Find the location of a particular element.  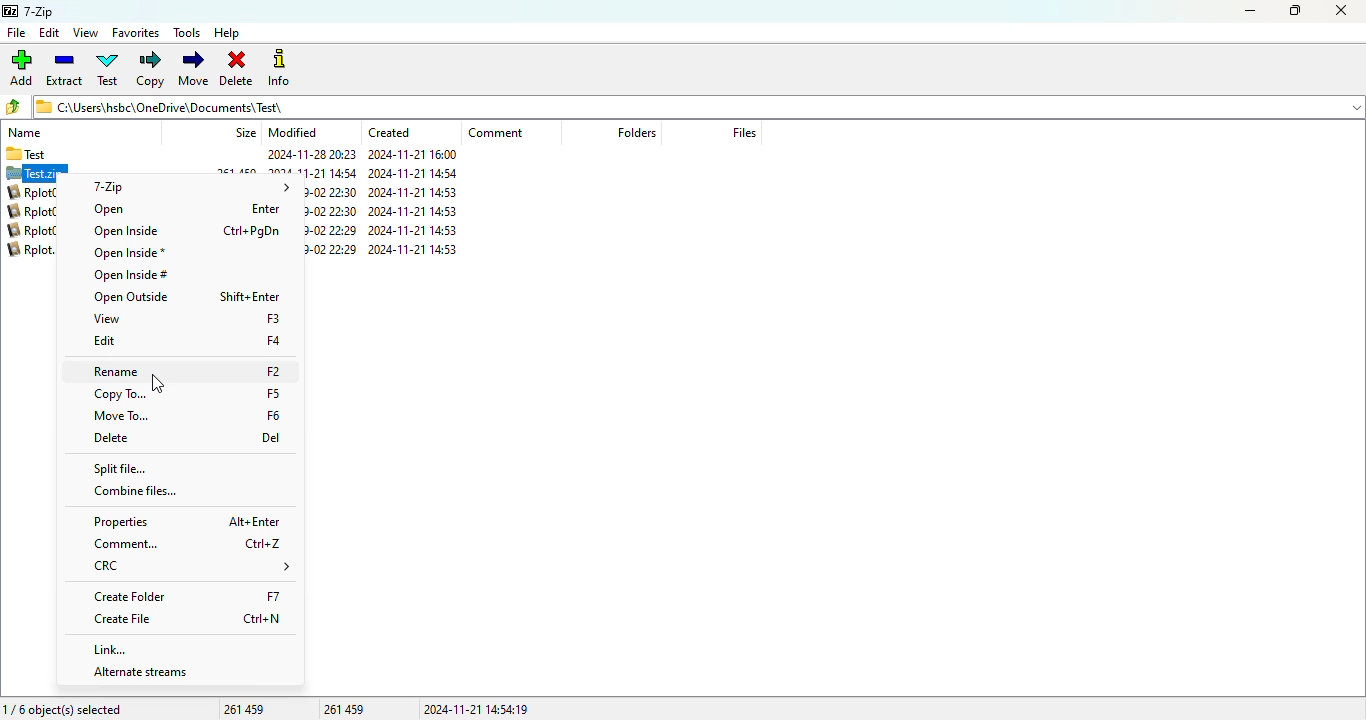

Test 2024-11-2820:23 2024-11-21 16:00 is located at coordinates (38, 155).